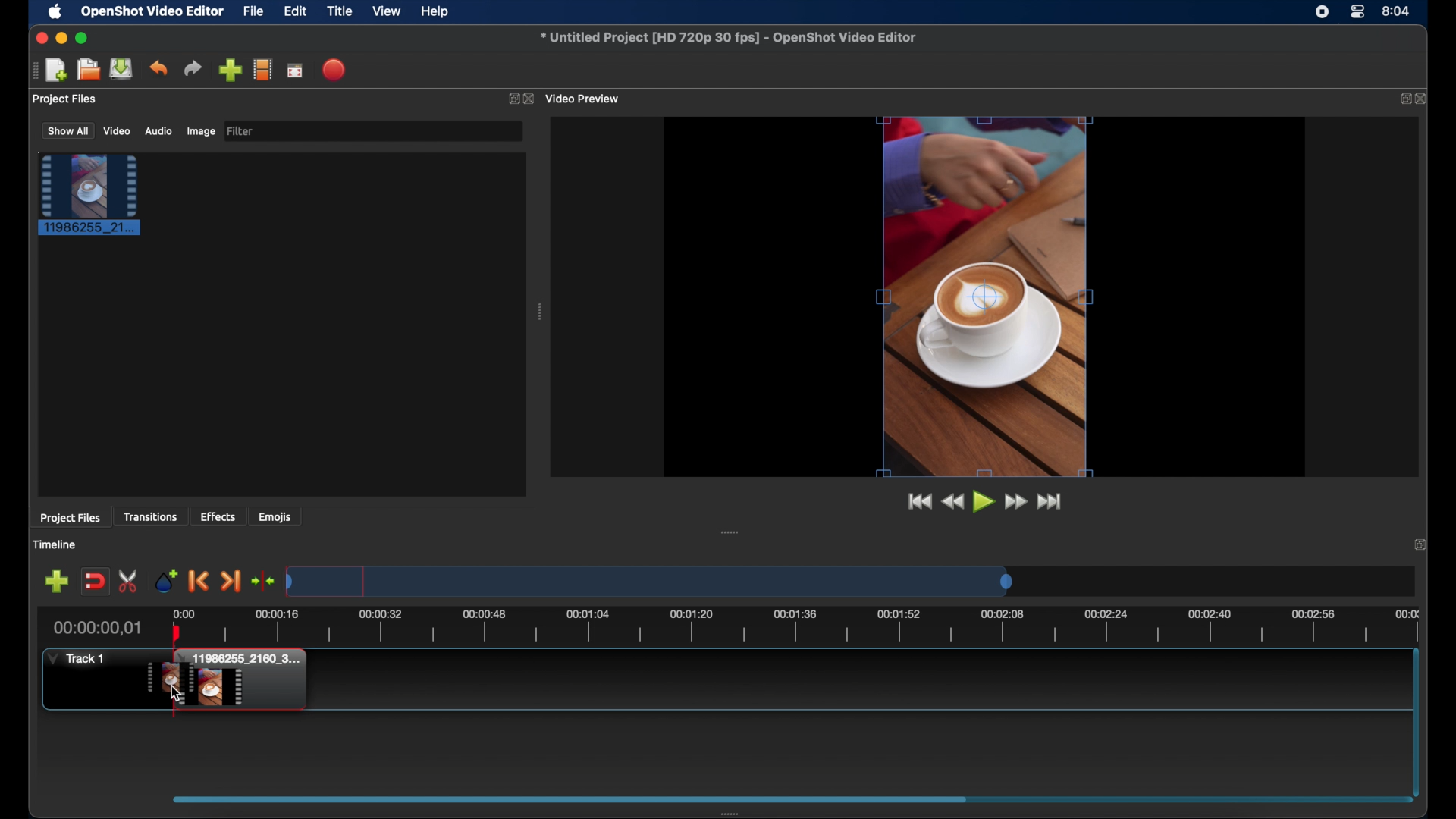 This screenshot has width=1456, height=819. Describe the element at coordinates (229, 71) in the screenshot. I see `import files` at that location.